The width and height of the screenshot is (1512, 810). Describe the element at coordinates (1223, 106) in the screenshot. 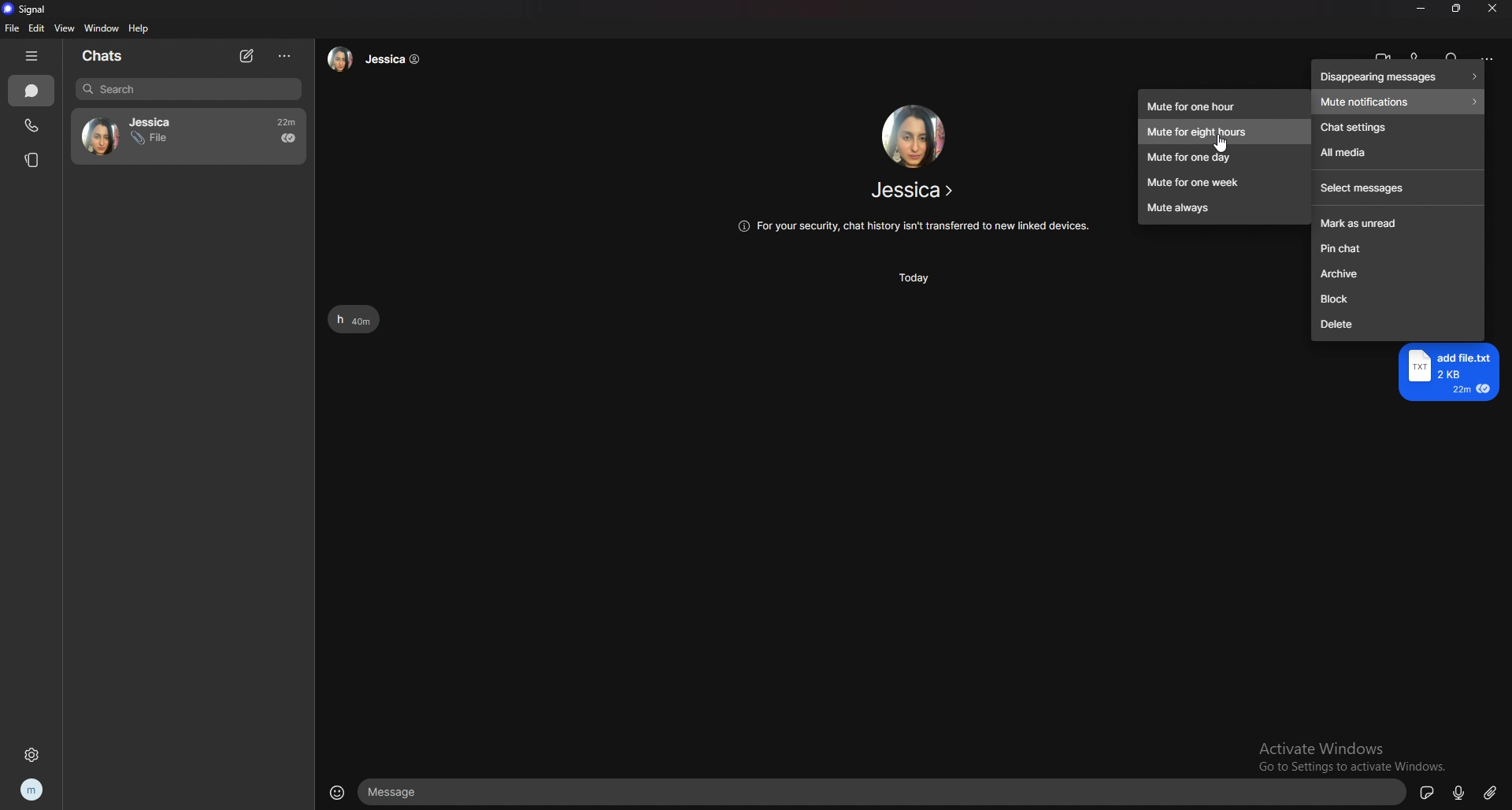

I see `mute for one hour` at that location.